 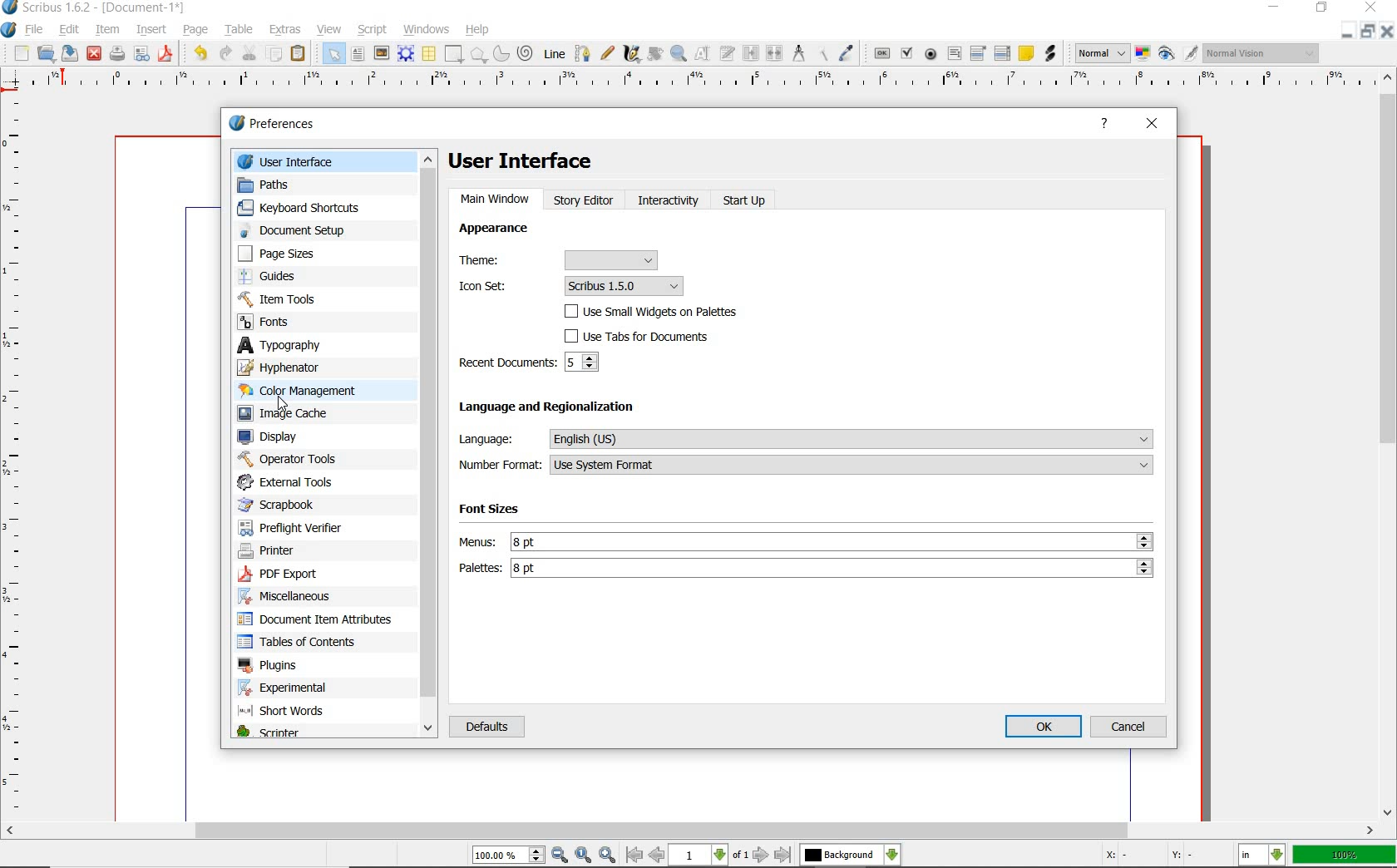 What do you see at coordinates (287, 30) in the screenshot?
I see `extras` at bounding box center [287, 30].